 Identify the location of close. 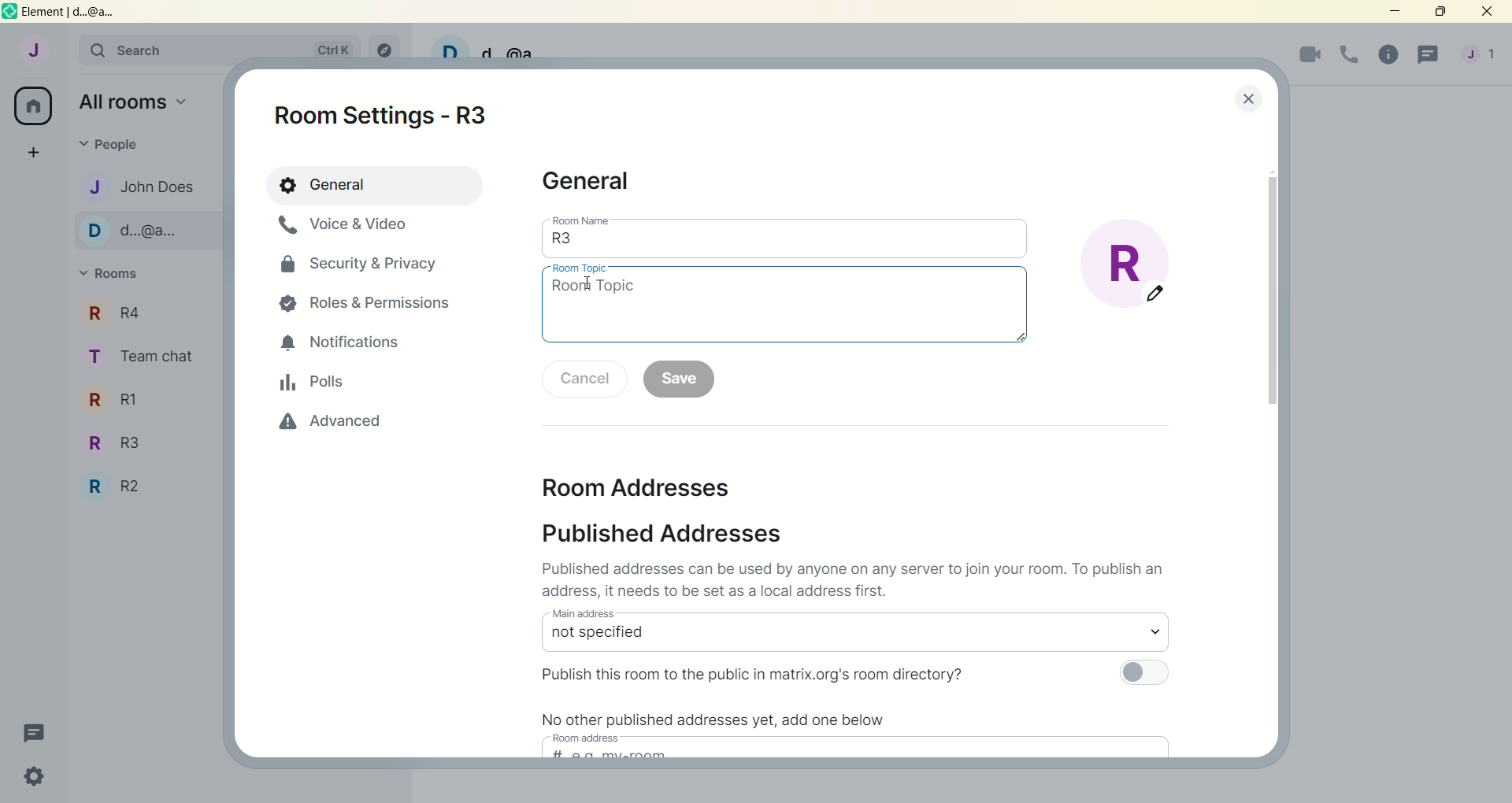
(1491, 13).